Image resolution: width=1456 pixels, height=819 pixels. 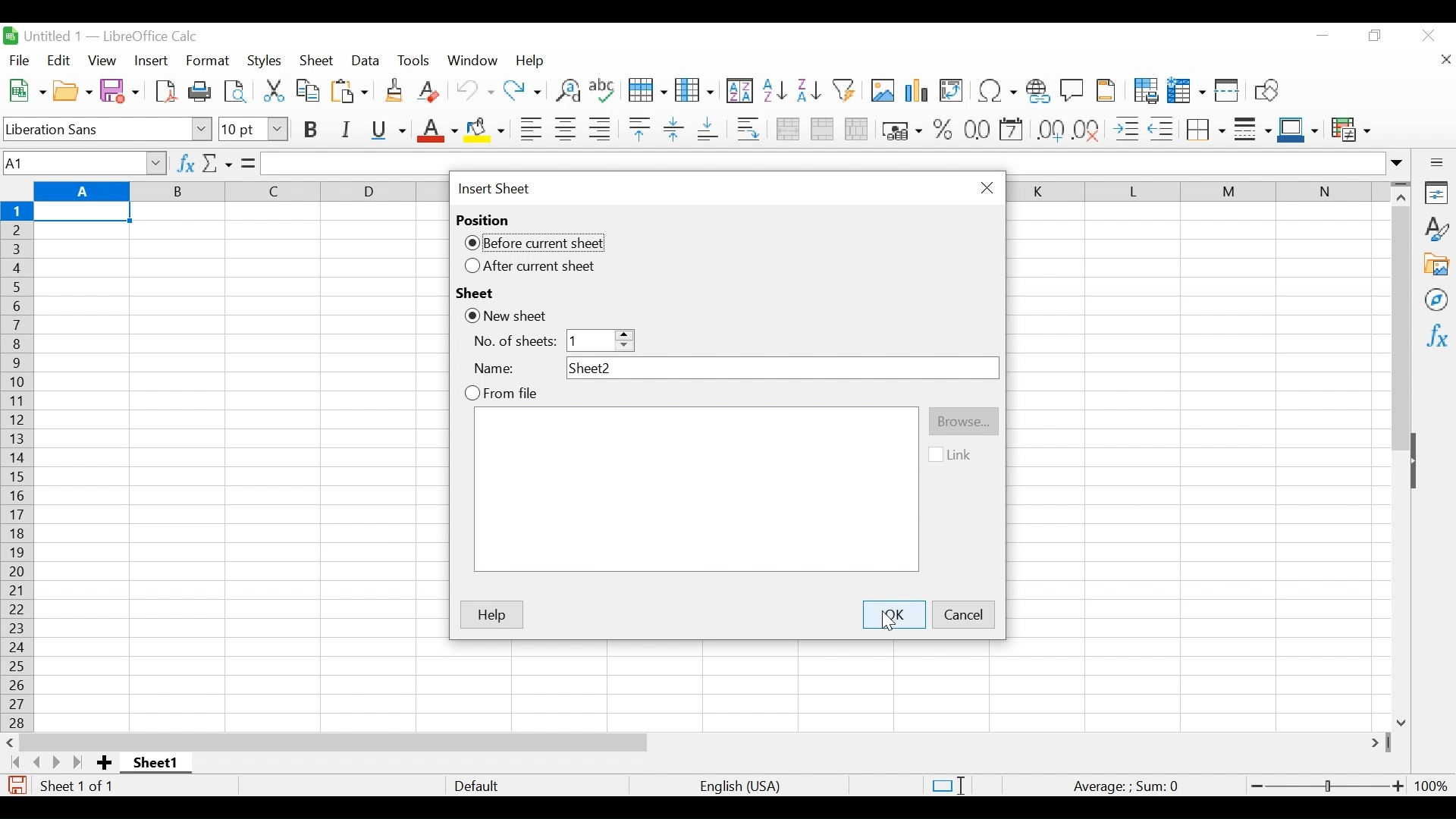 I want to click on Border Style, so click(x=1253, y=131).